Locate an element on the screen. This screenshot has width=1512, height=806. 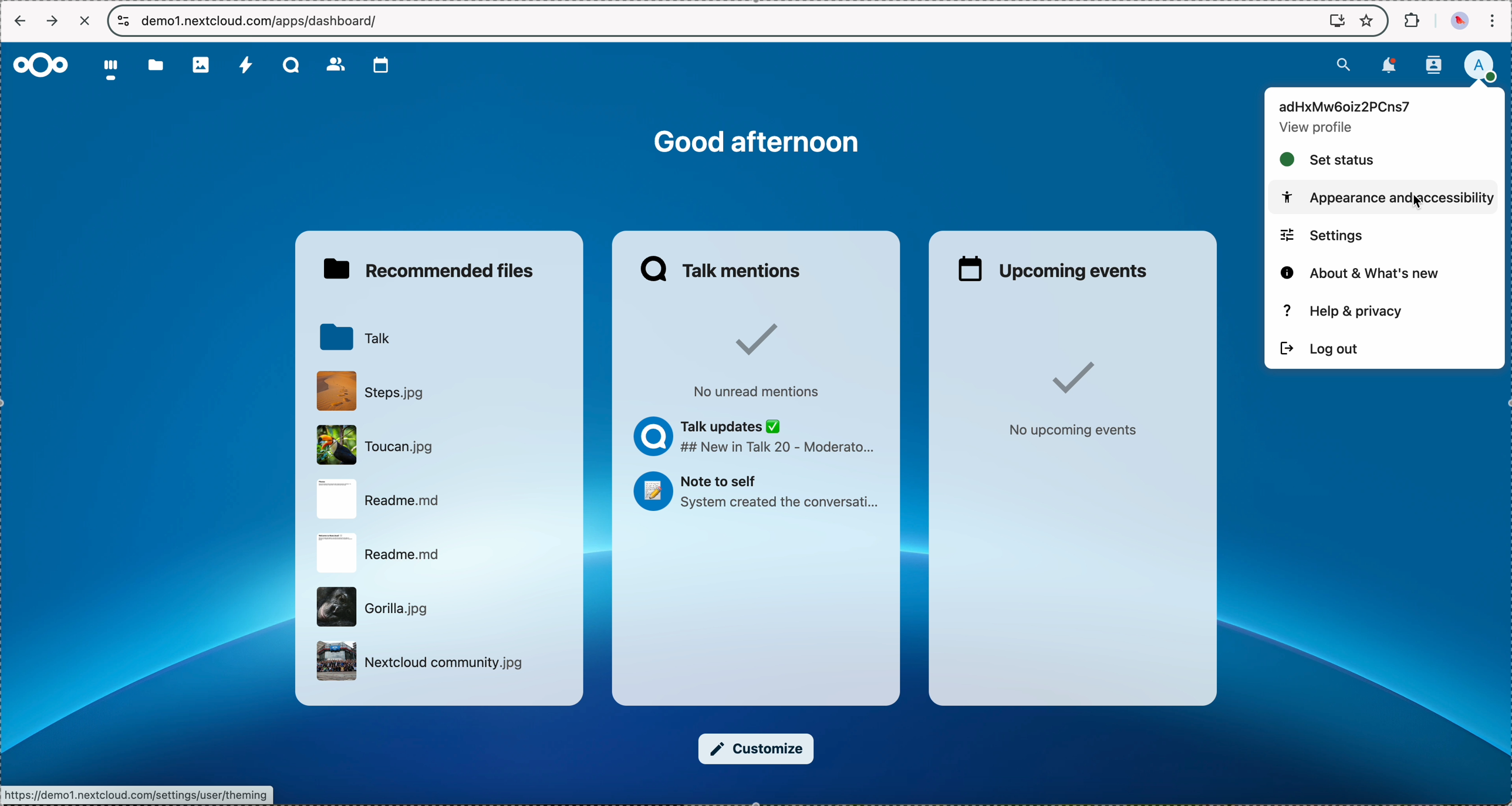
contacts is located at coordinates (333, 65).